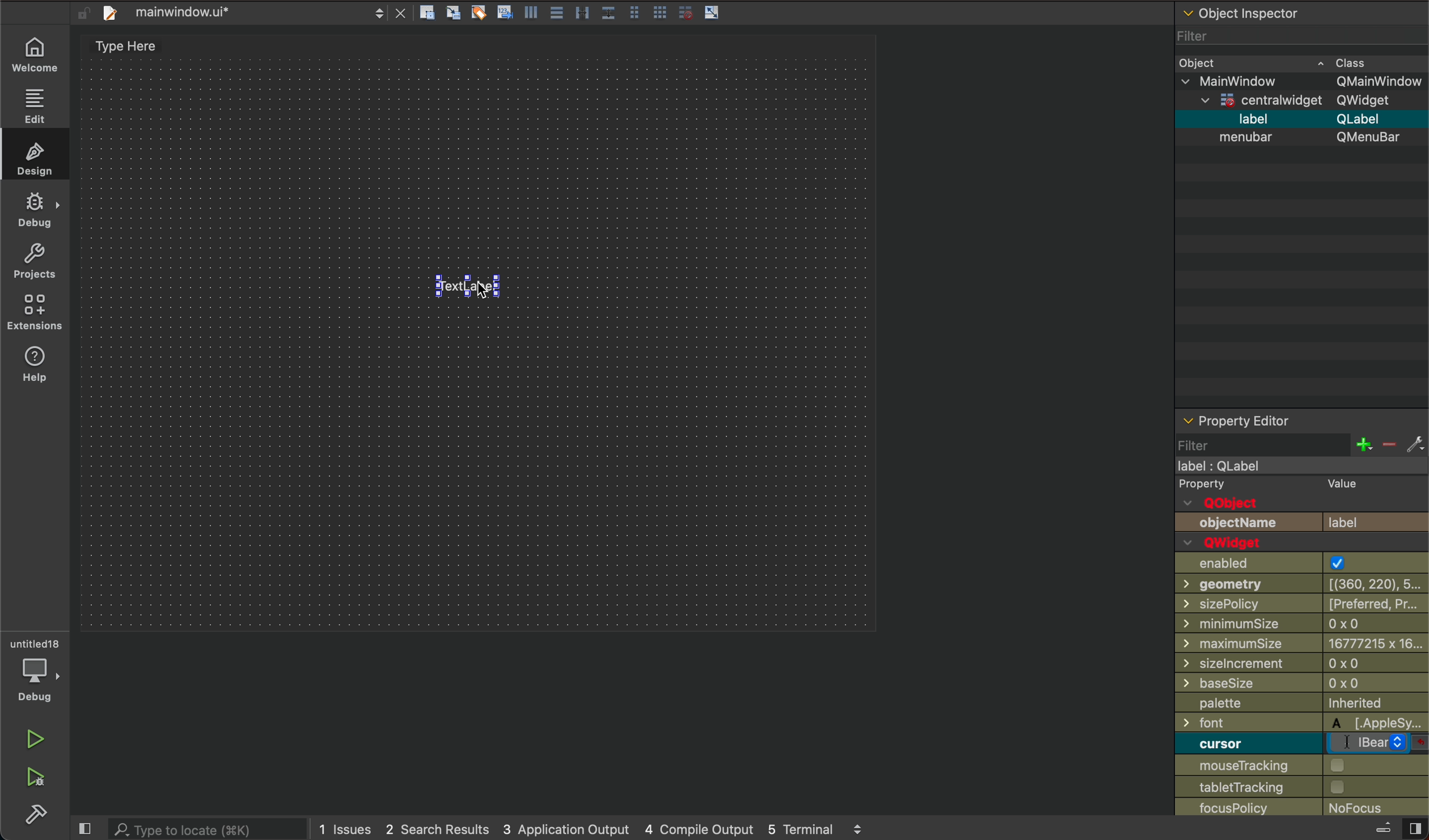  What do you see at coordinates (435, 825) in the screenshot?
I see `2 search results` at bounding box center [435, 825].